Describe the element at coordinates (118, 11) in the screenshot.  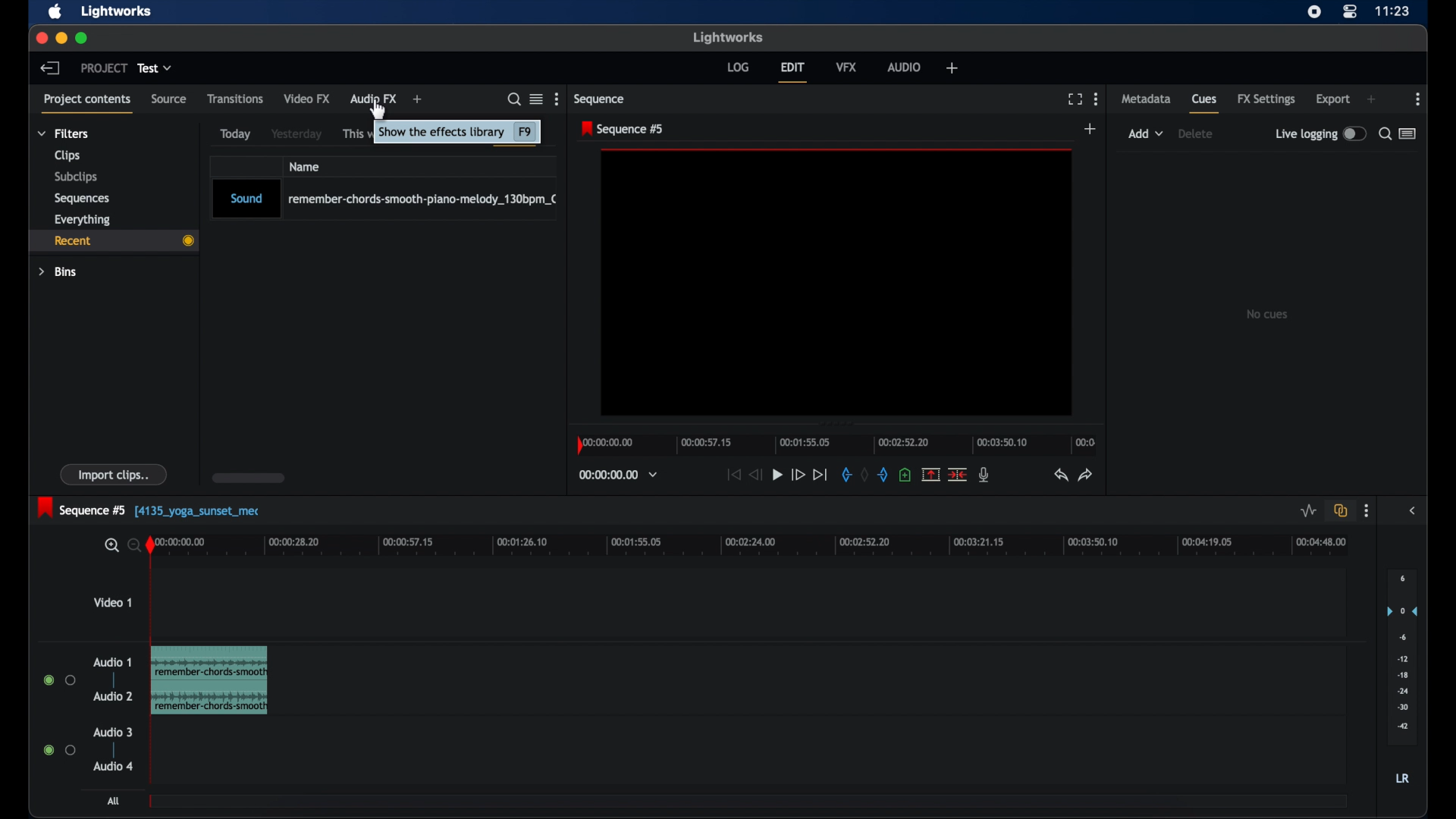
I see `lightworks` at that location.